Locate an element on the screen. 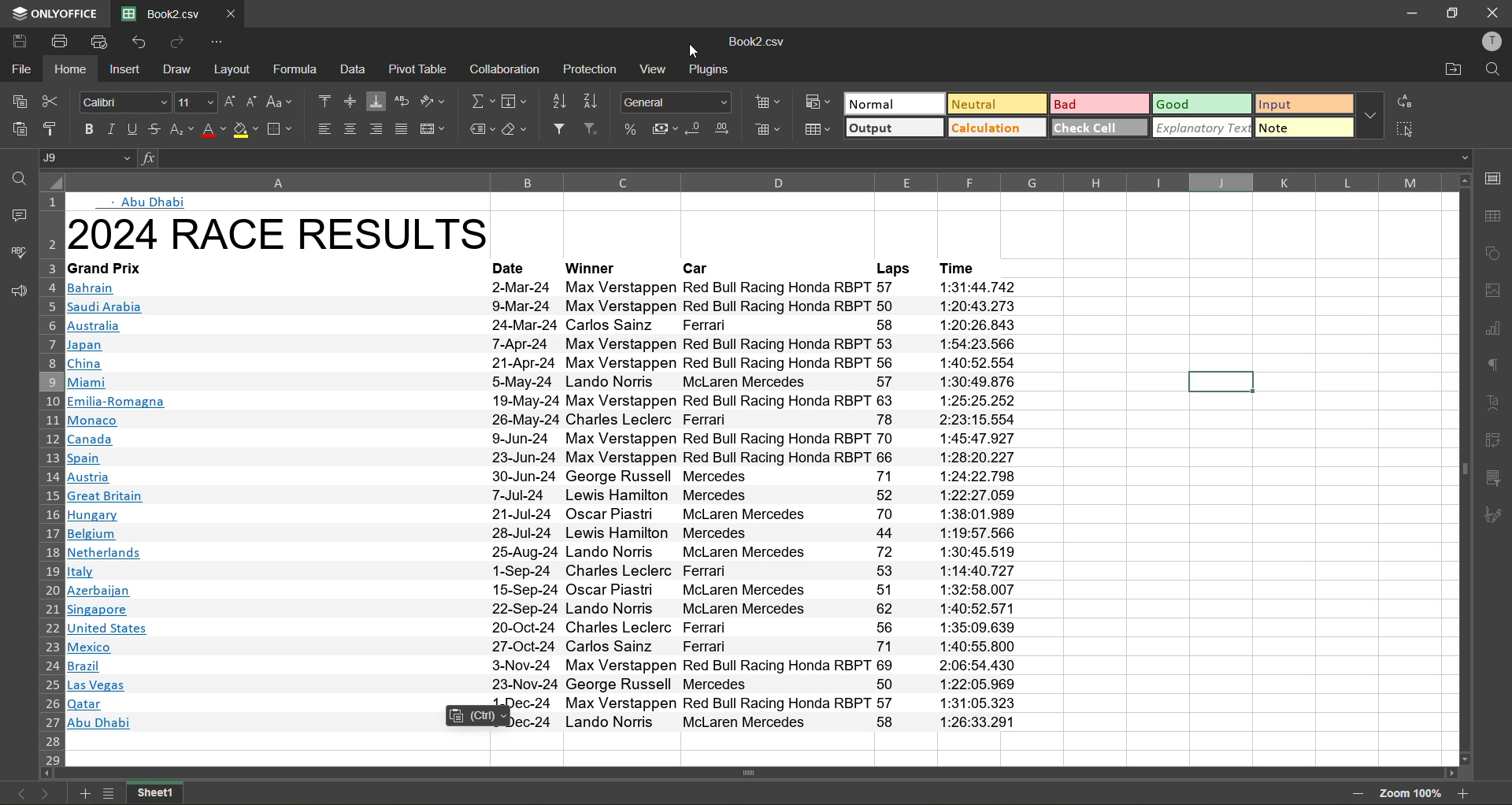 The width and height of the screenshot is (1512, 805). copy style is located at coordinates (56, 130).